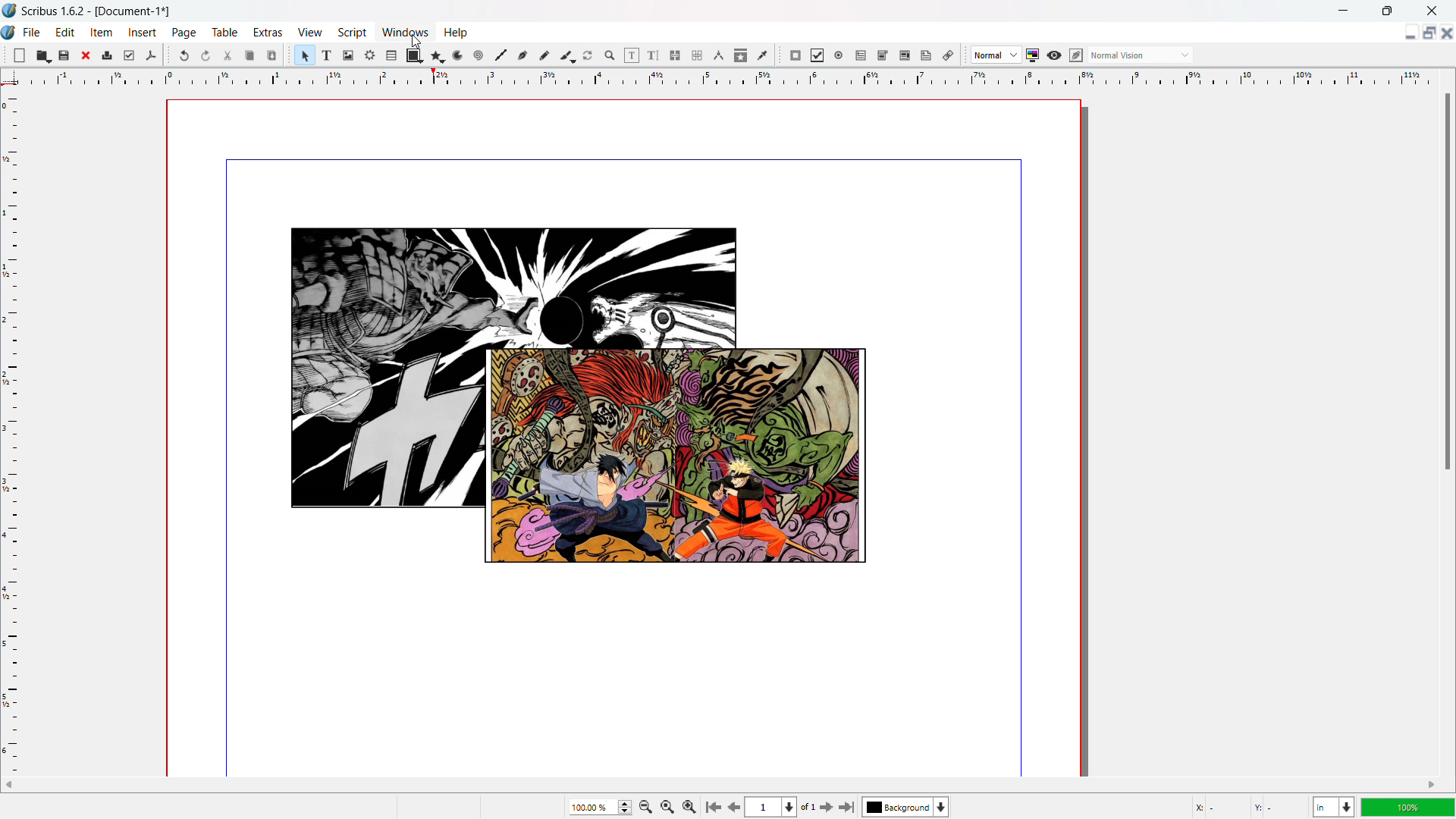 The image size is (1456, 819). What do you see at coordinates (272, 55) in the screenshot?
I see `paste` at bounding box center [272, 55].